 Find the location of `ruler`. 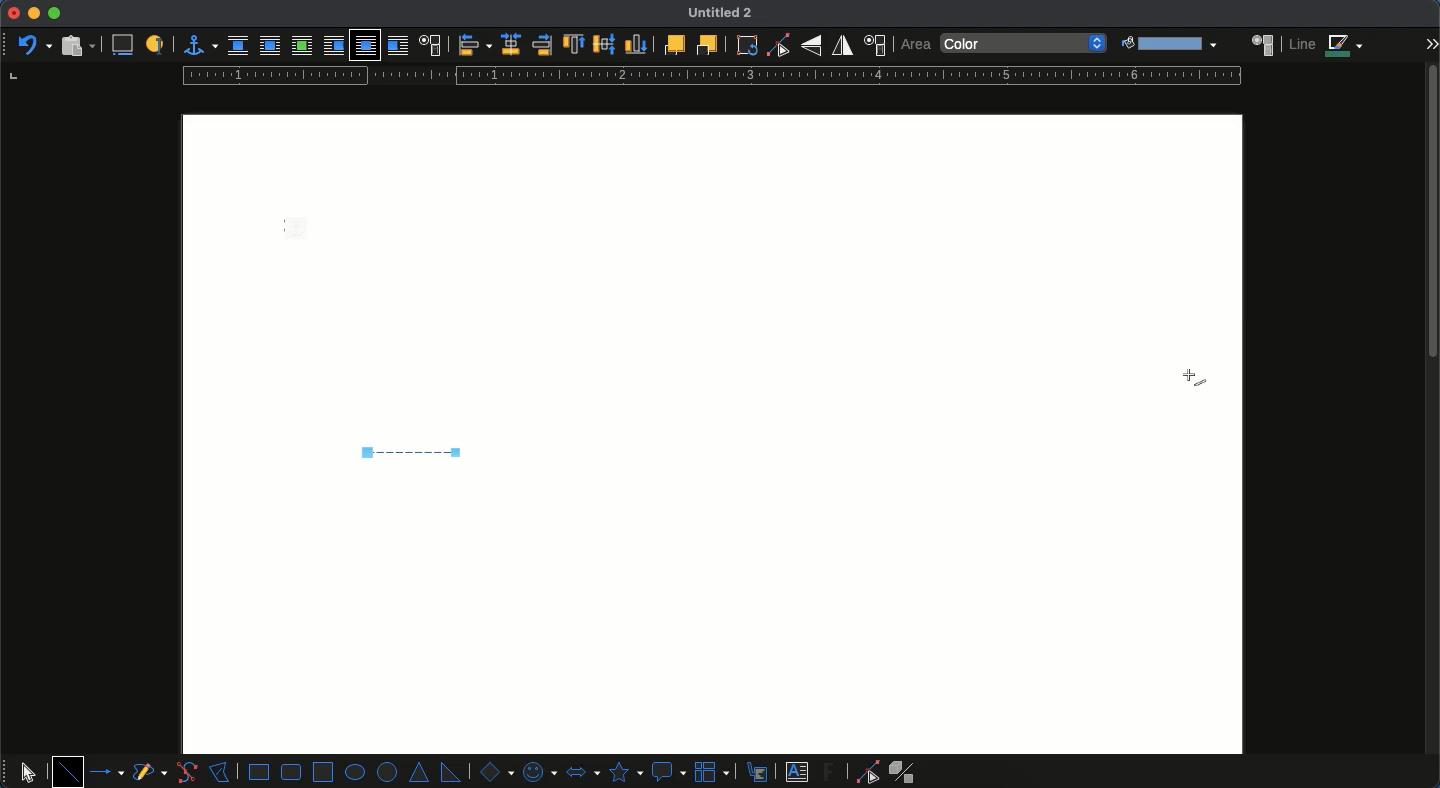

ruler is located at coordinates (707, 76).